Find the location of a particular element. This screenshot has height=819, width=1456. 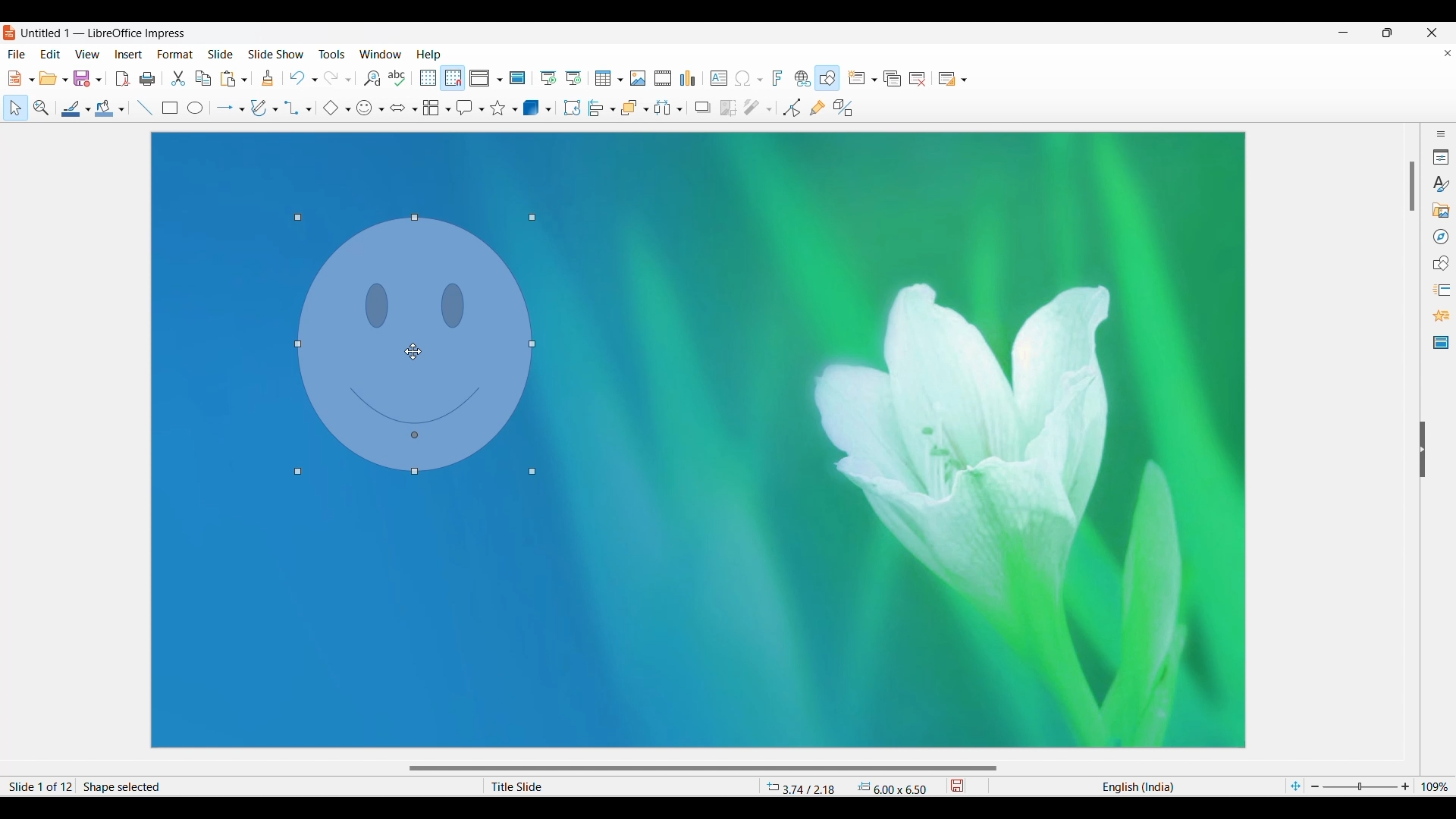

Connector options is located at coordinates (309, 110).